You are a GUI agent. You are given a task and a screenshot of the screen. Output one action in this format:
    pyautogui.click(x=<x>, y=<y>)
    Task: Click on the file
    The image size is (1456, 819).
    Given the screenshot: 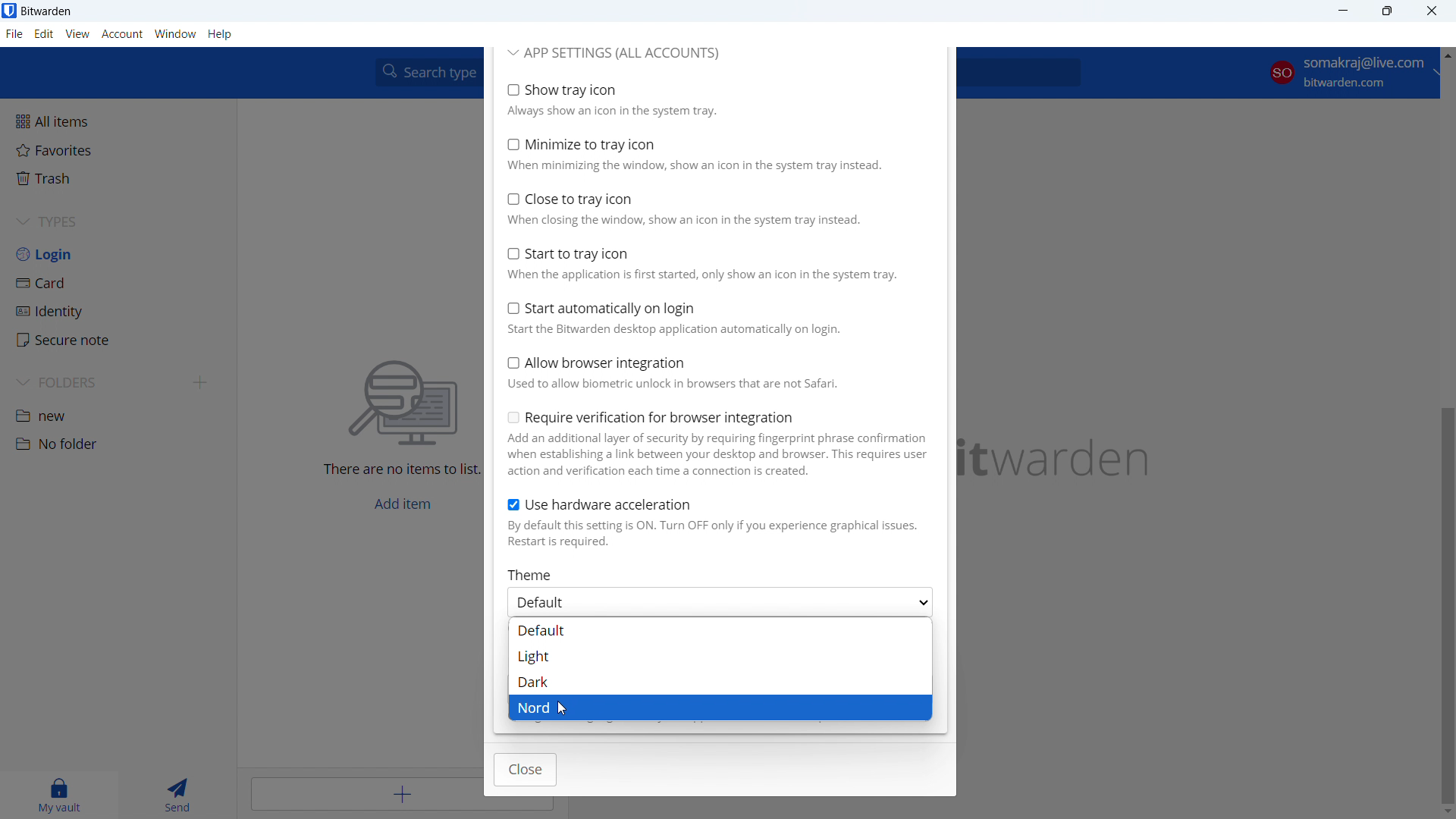 What is the action you would take?
    pyautogui.click(x=14, y=34)
    